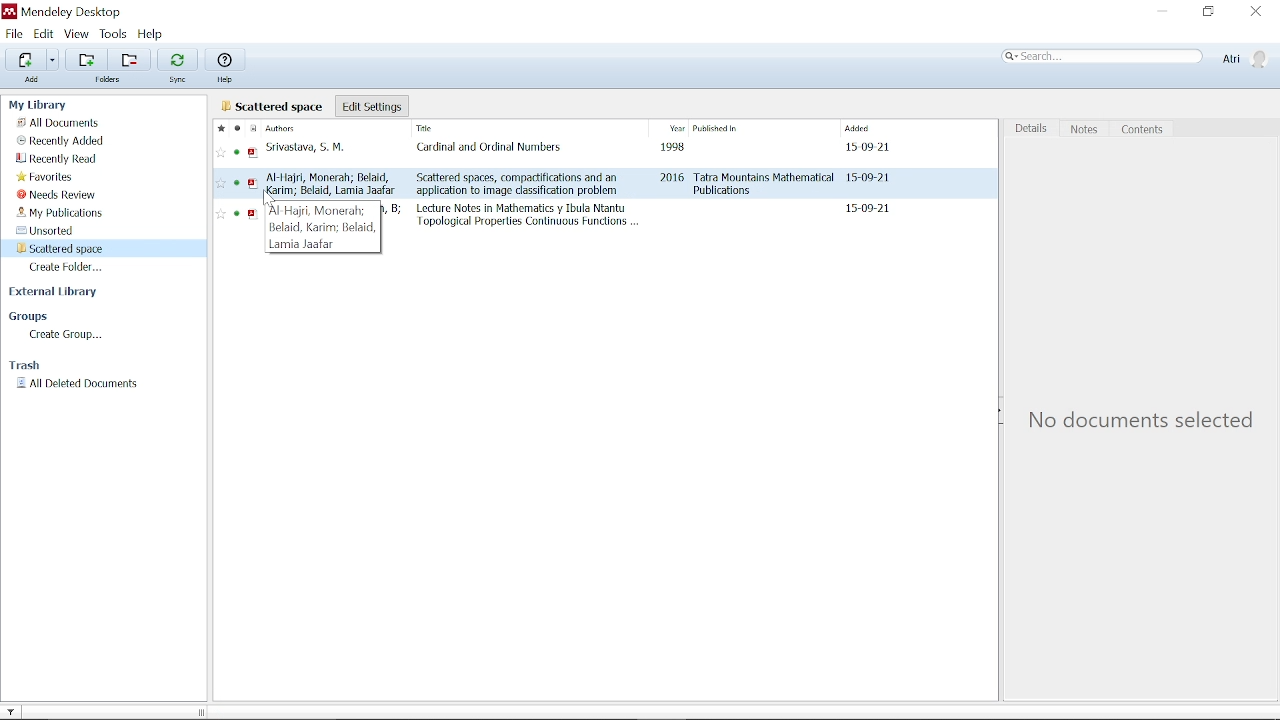 The image size is (1280, 720). I want to click on Trash, so click(30, 366).